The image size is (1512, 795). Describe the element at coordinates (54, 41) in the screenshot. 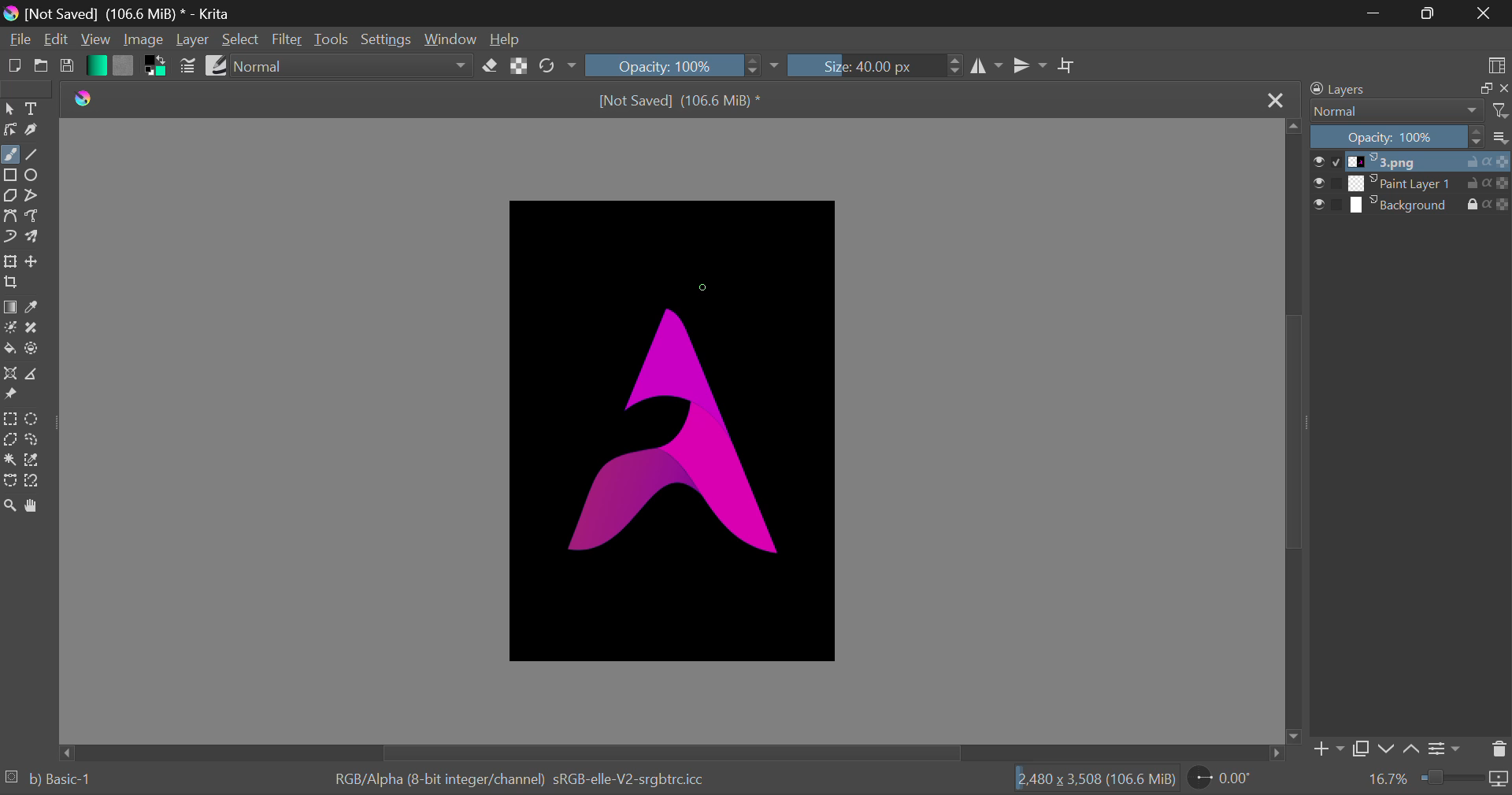

I see `Edit` at that location.